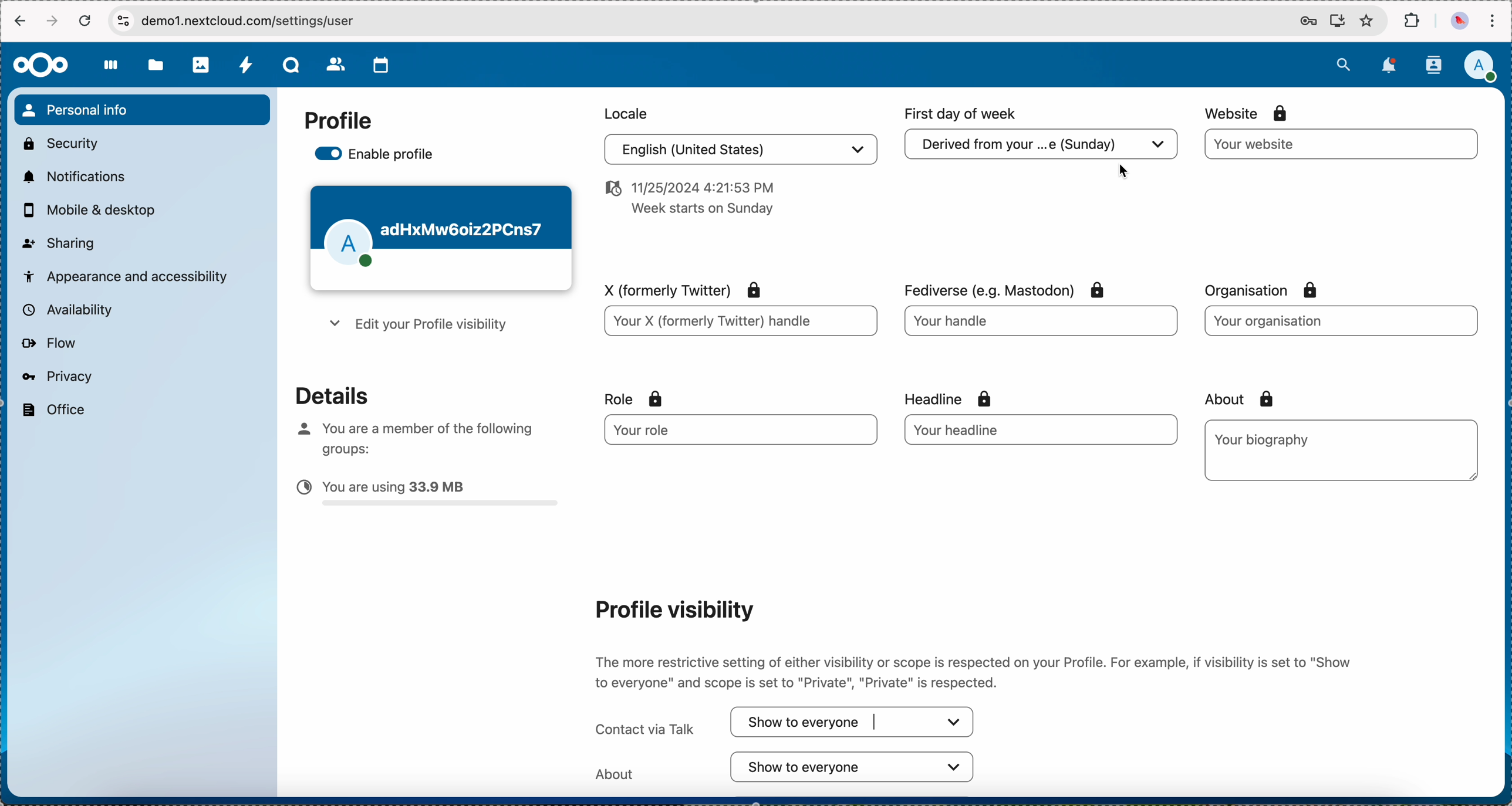  I want to click on extensions, so click(1413, 21).